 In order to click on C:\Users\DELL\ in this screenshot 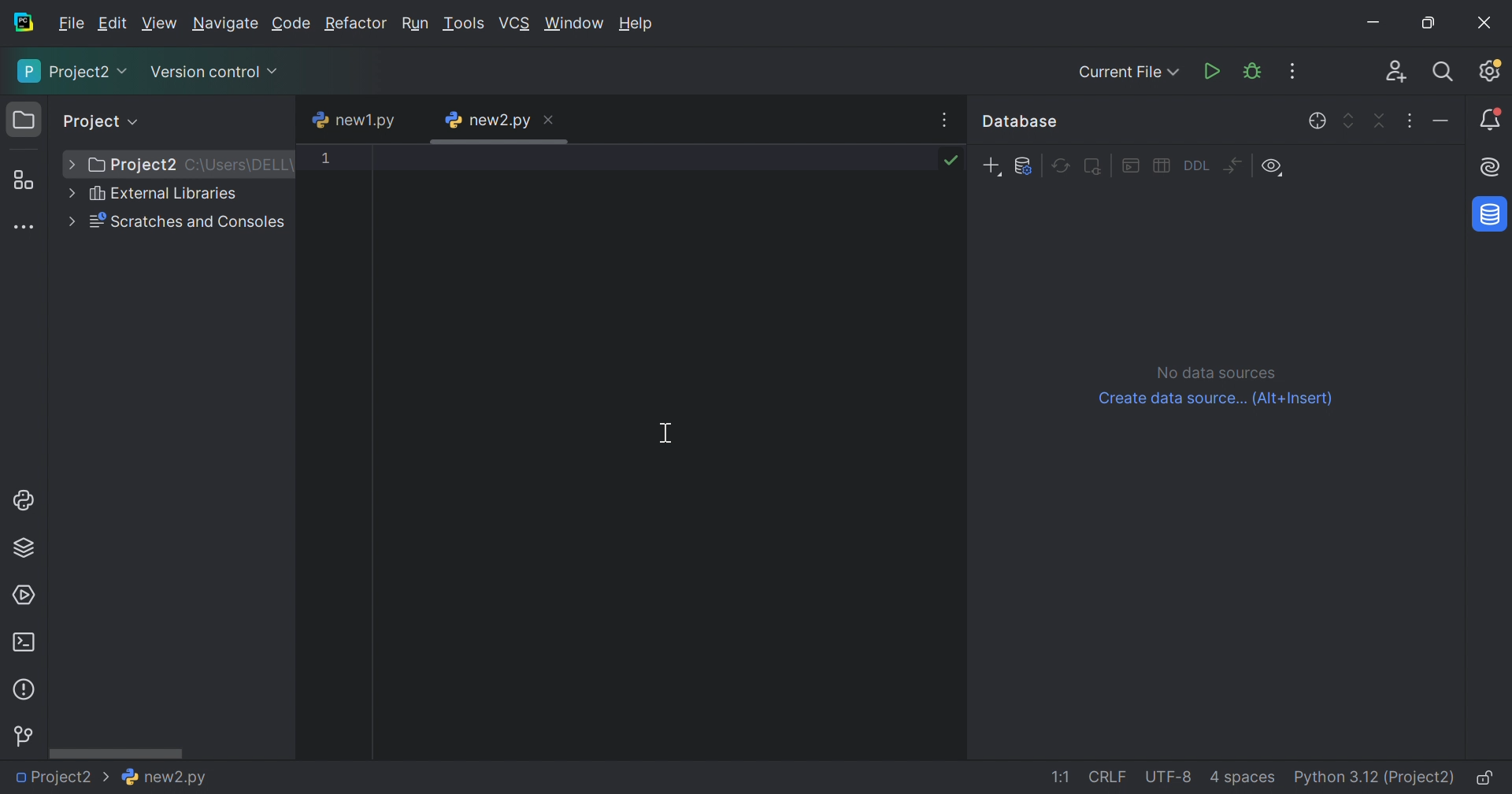, I will do `click(240, 164)`.